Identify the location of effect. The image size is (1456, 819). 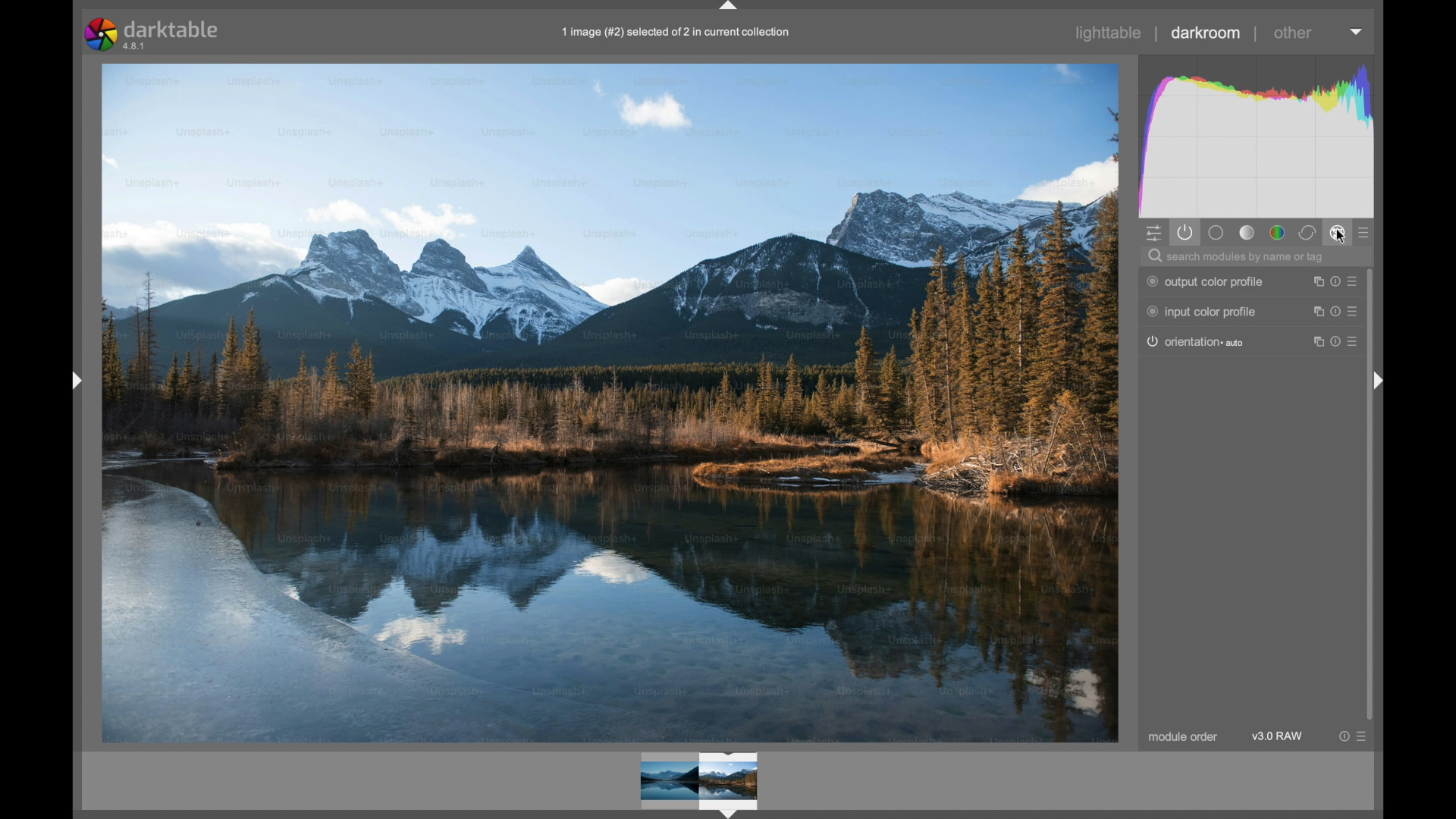
(1338, 232).